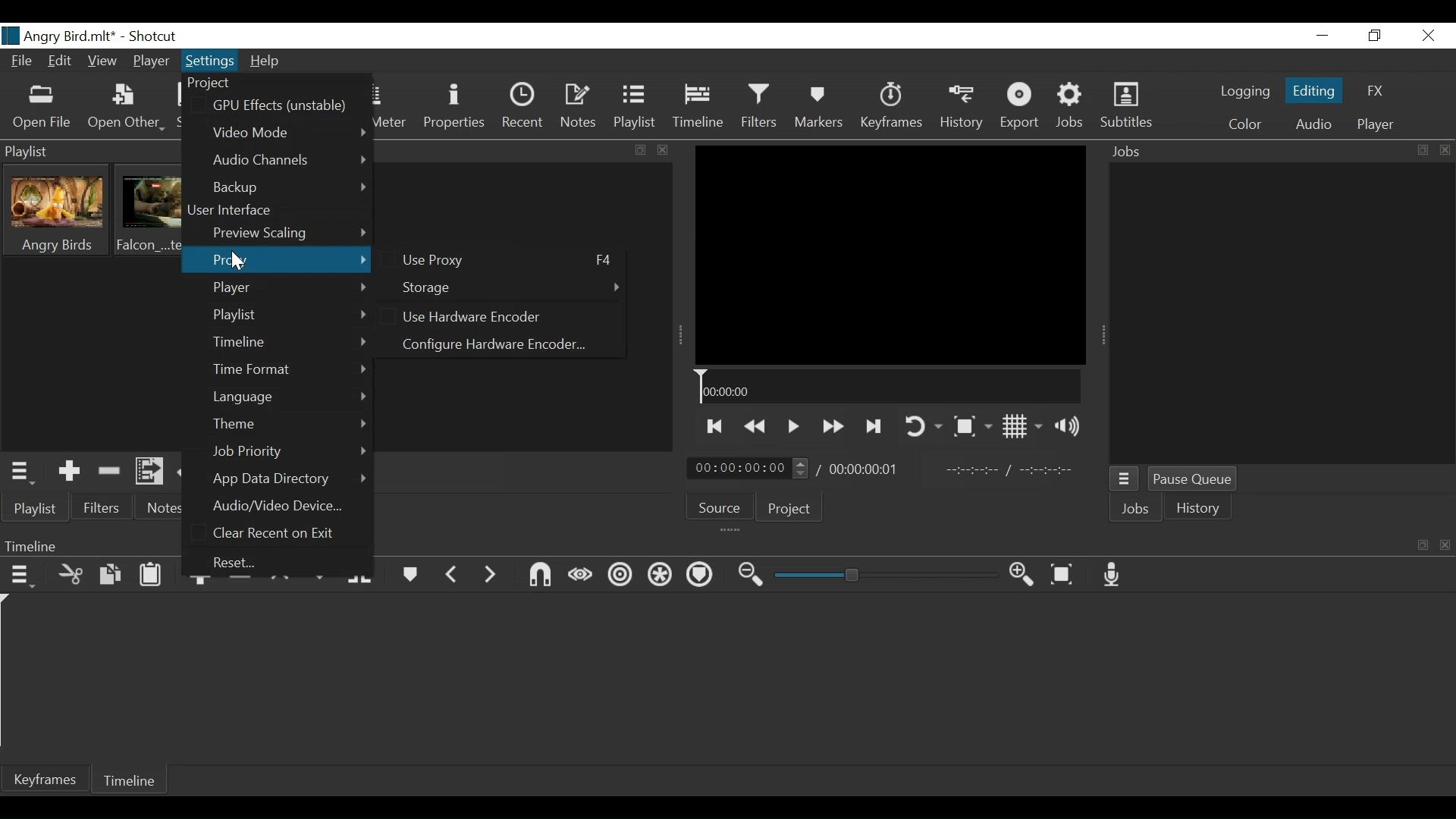 This screenshot has height=819, width=1456. Describe the element at coordinates (102, 507) in the screenshot. I see `Filter` at that location.